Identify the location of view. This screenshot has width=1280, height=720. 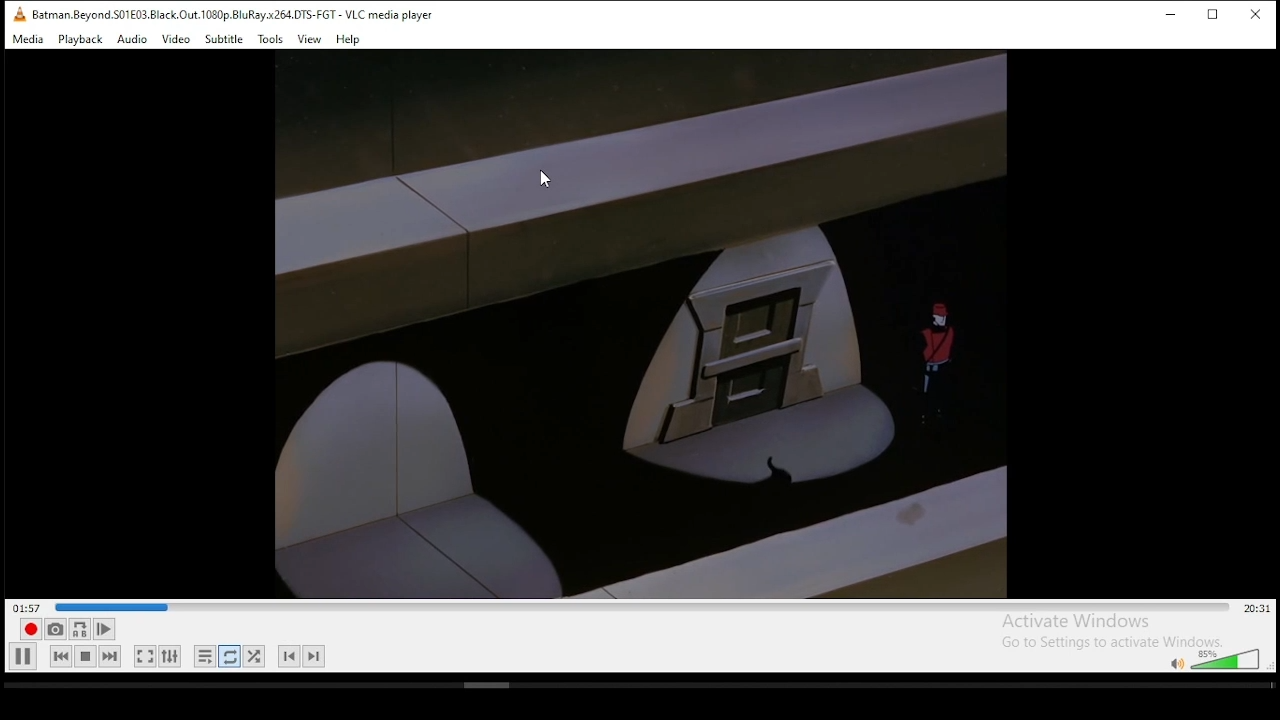
(308, 39).